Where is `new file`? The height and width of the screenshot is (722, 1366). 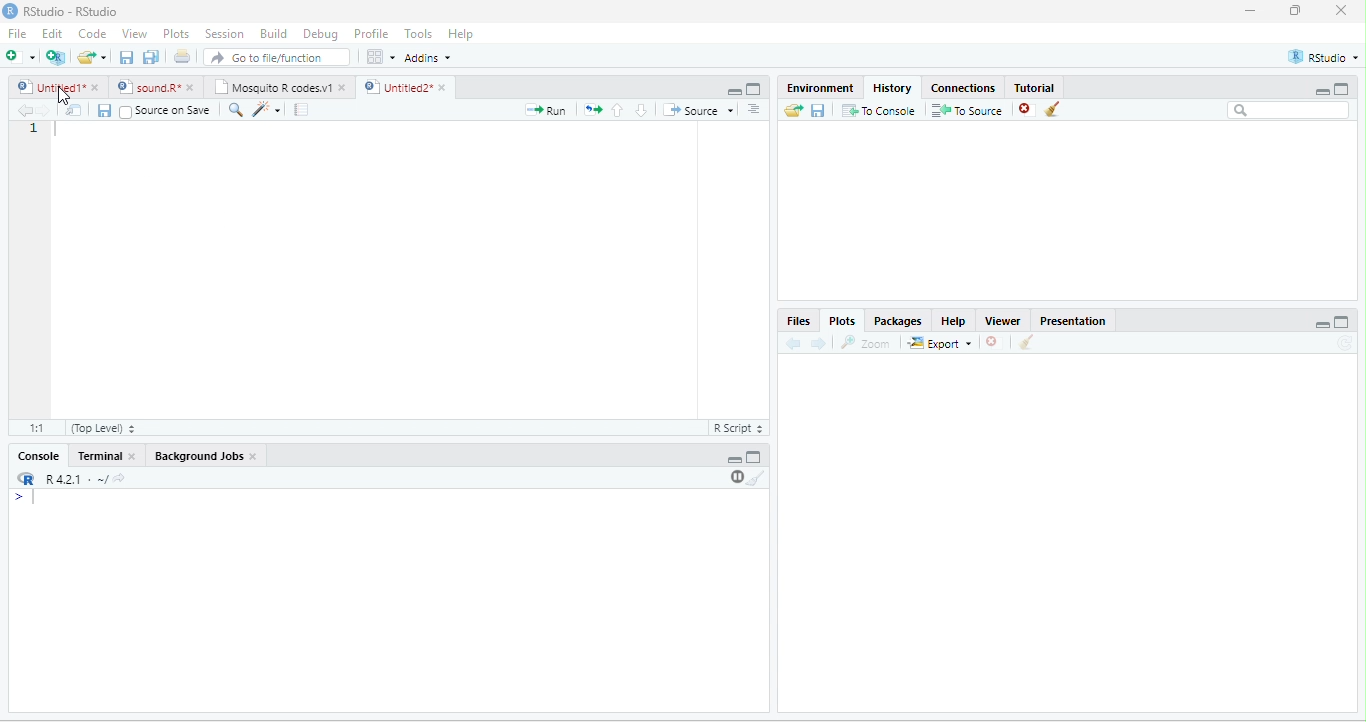 new file is located at coordinates (20, 56).